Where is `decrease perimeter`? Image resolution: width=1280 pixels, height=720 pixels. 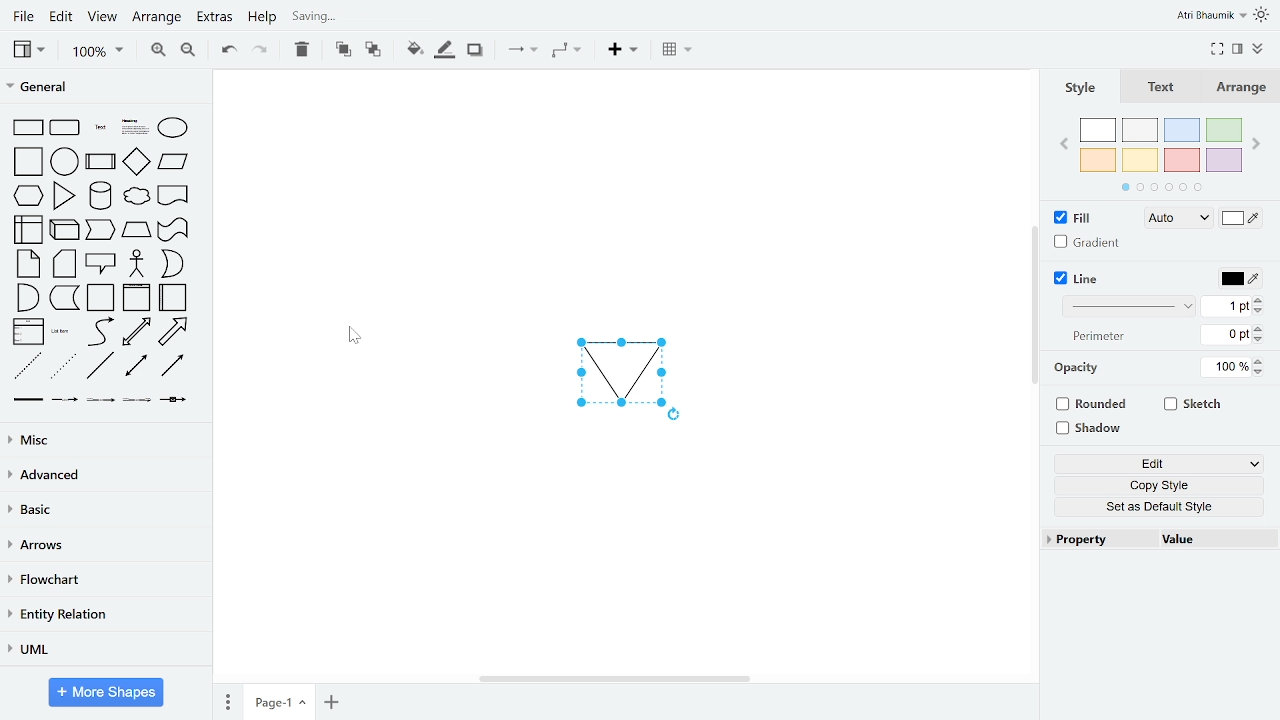
decrease perimeter is located at coordinates (1259, 339).